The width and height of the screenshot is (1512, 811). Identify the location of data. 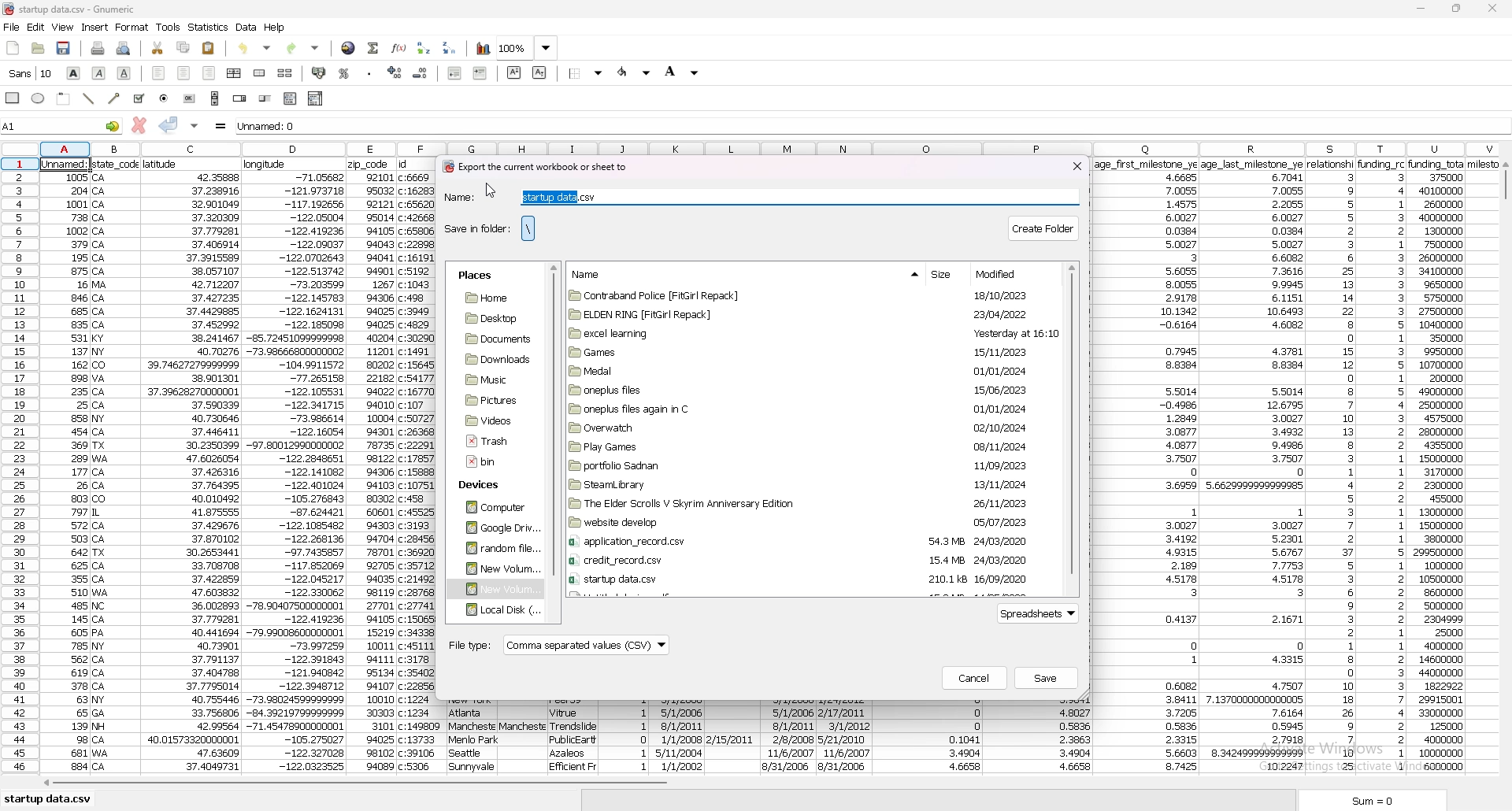
(571, 734).